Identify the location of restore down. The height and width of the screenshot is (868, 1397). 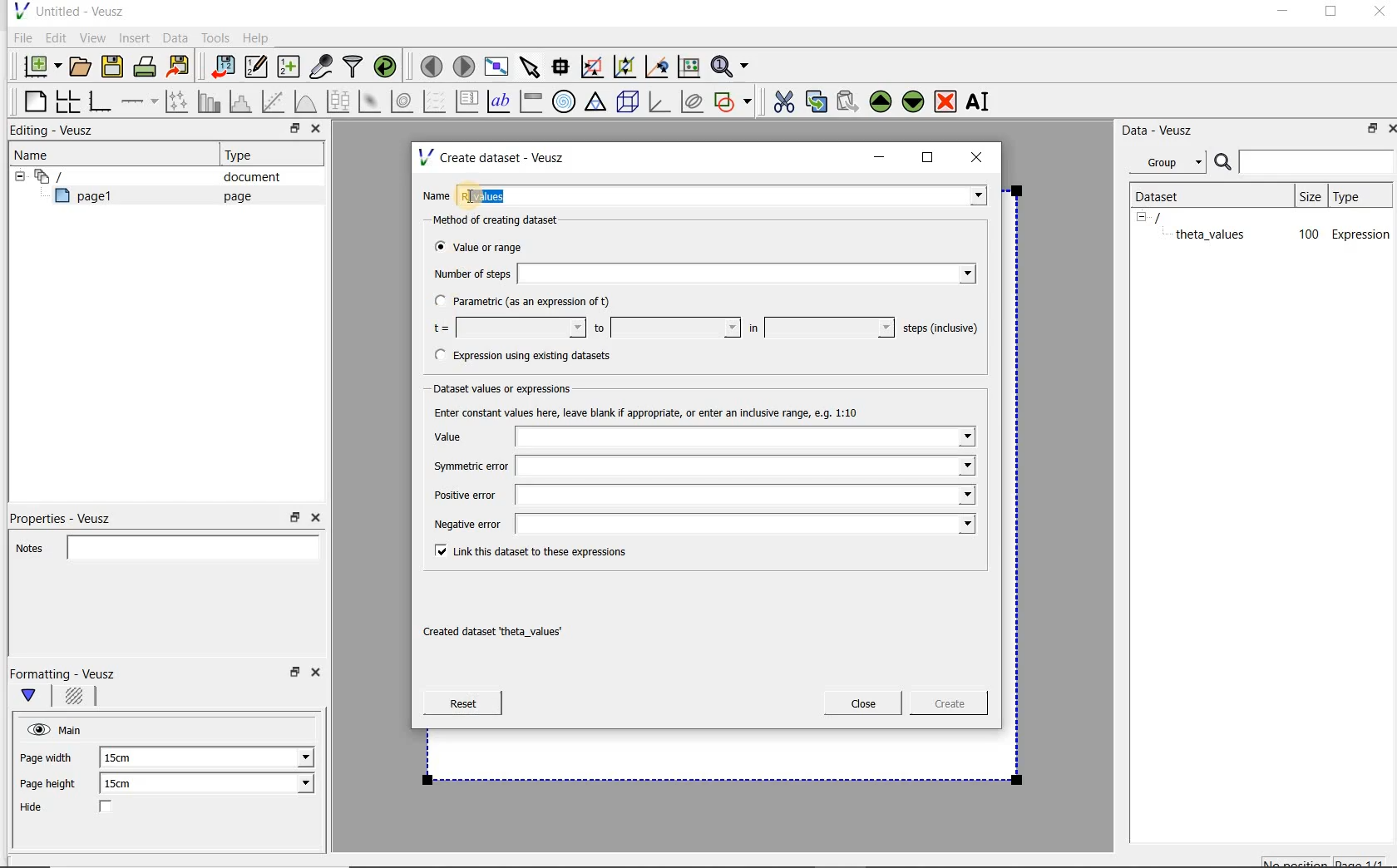
(290, 131).